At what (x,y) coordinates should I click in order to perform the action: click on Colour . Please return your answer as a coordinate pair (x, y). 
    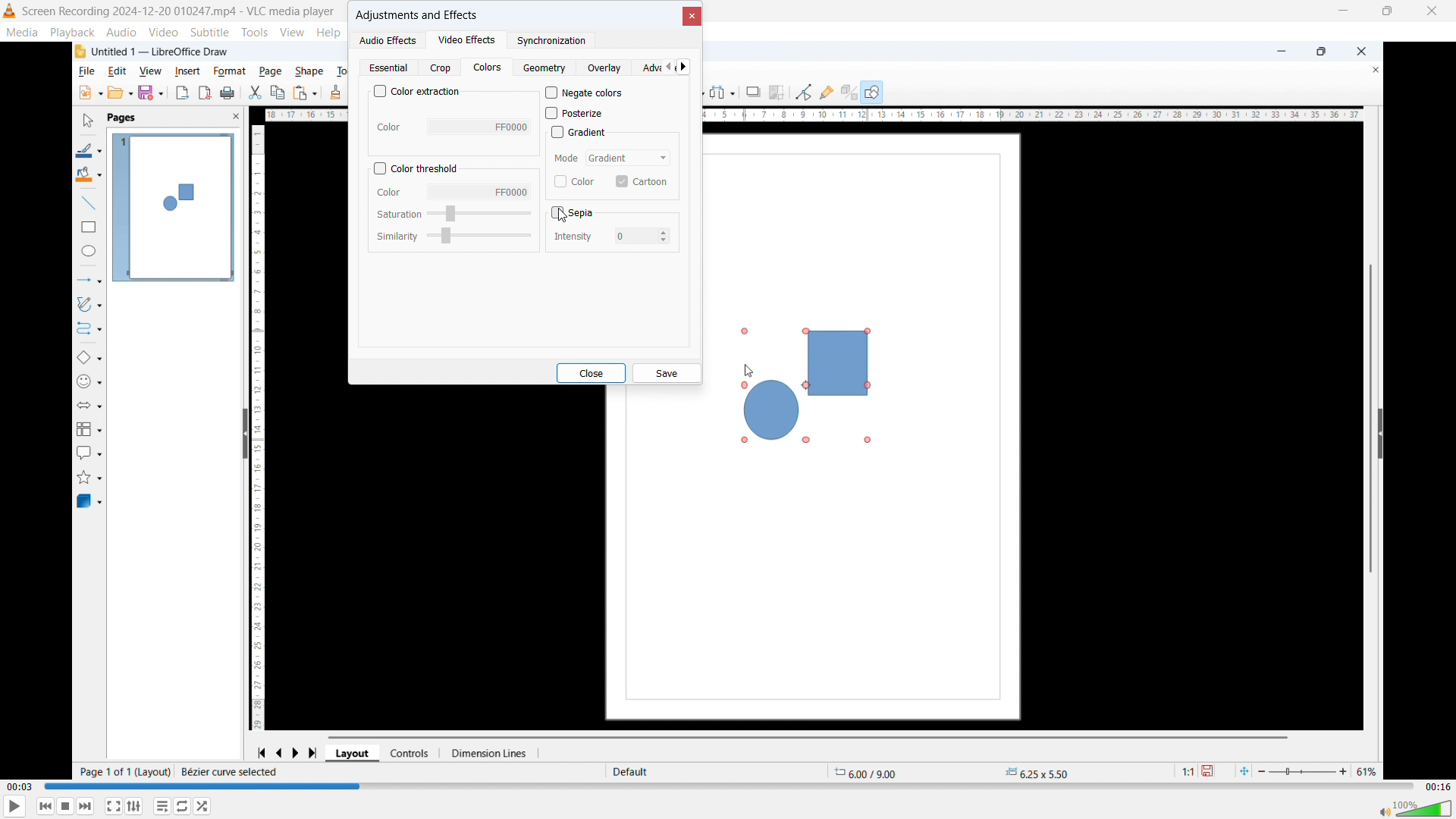
    Looking at the image, I should click on (575, 181).